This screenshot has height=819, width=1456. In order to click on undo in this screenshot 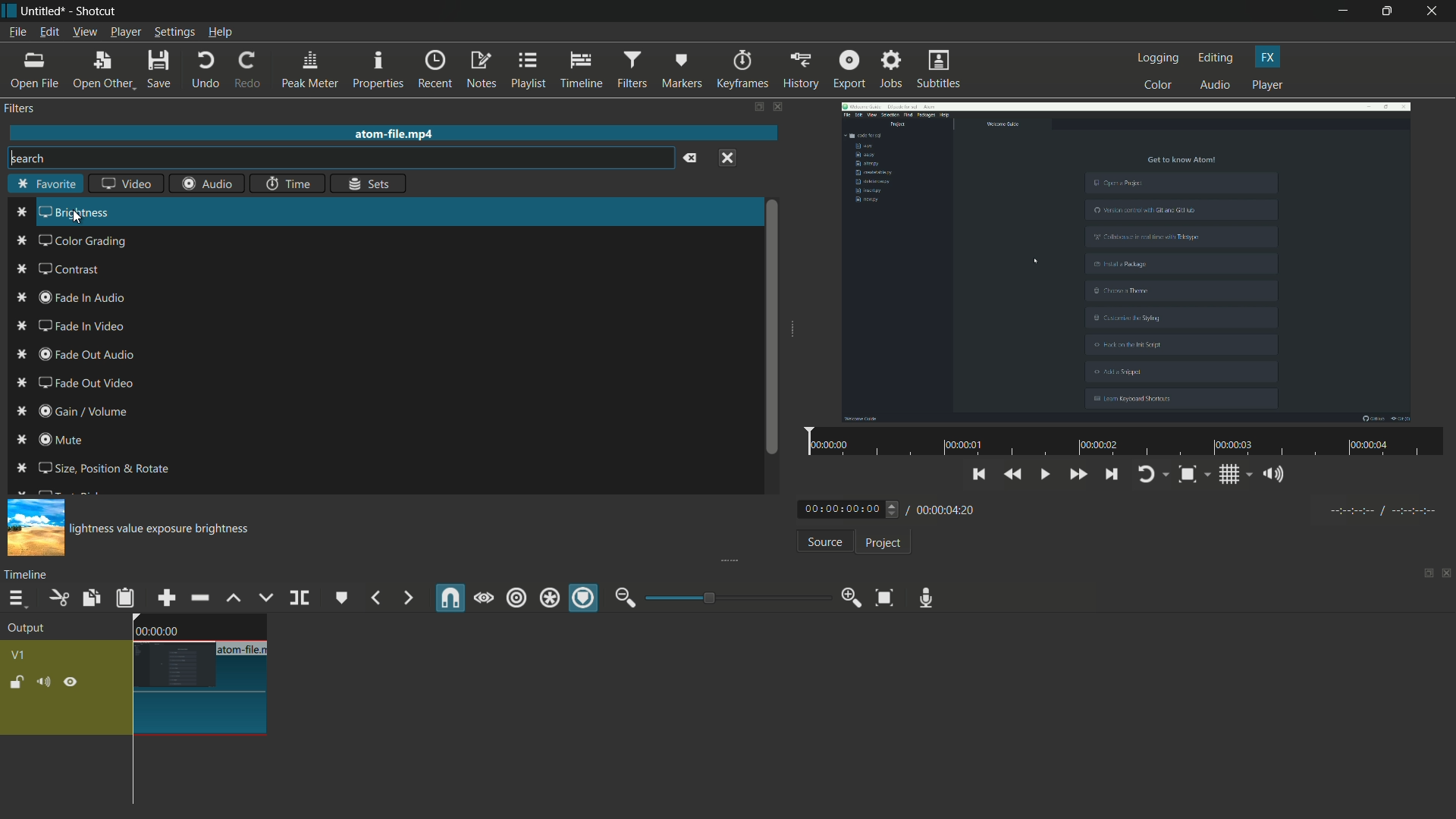, I will do `click(205, 70)`.